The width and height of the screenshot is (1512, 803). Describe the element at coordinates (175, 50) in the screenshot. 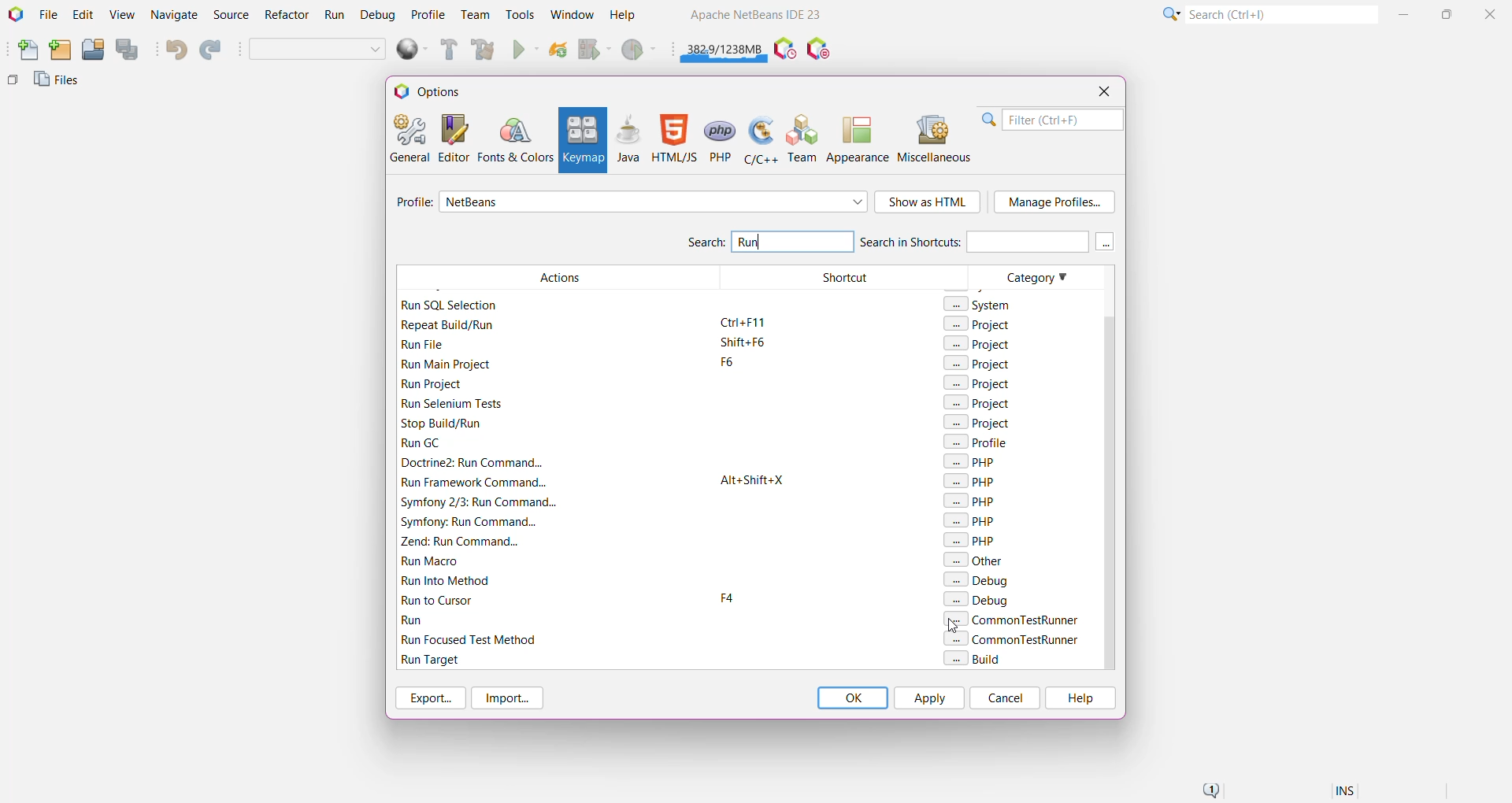

I see `Undo` at that location.